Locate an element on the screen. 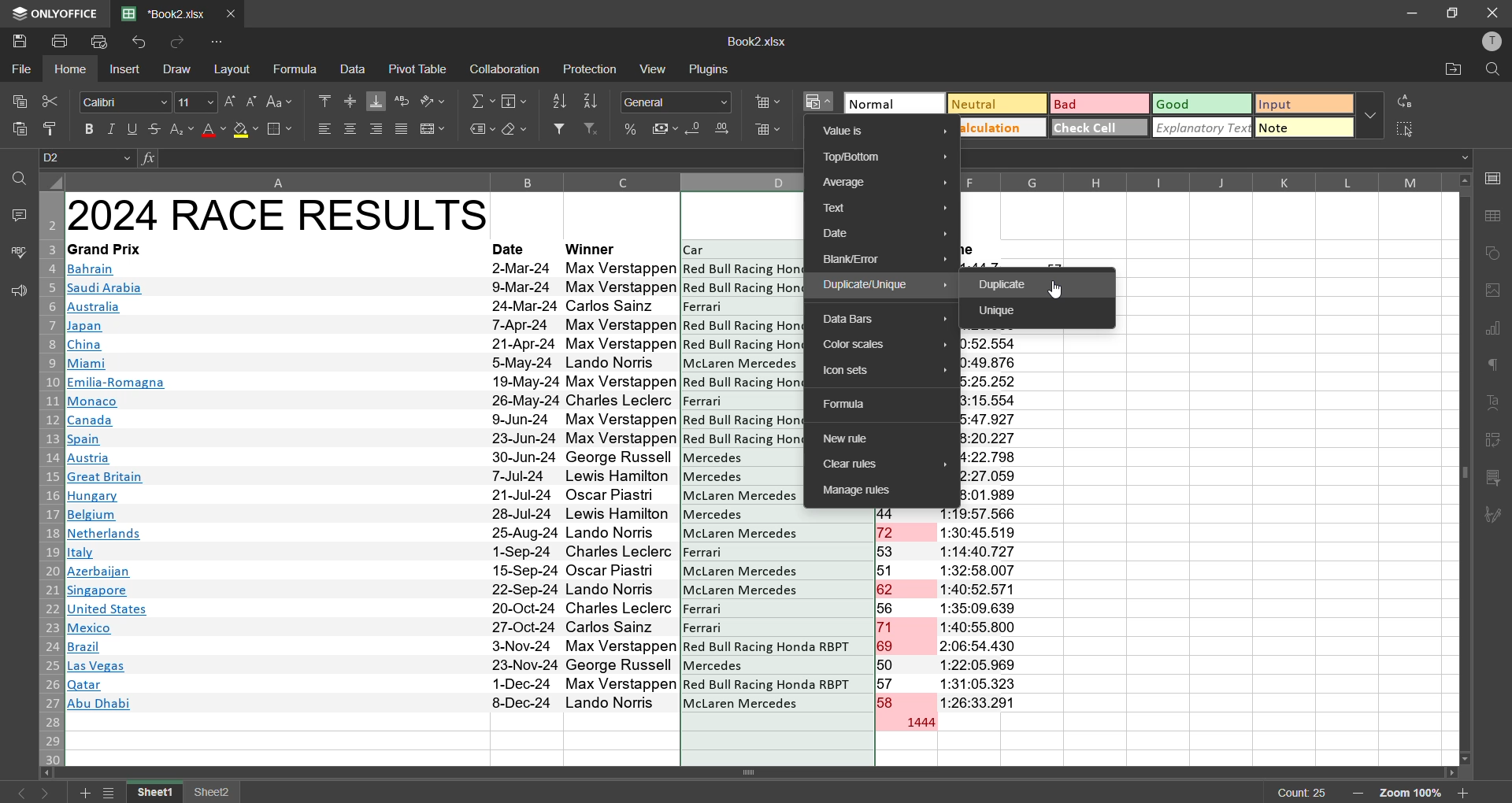 The image size is (1512, 803). justified is located at coordinates (402, 131).